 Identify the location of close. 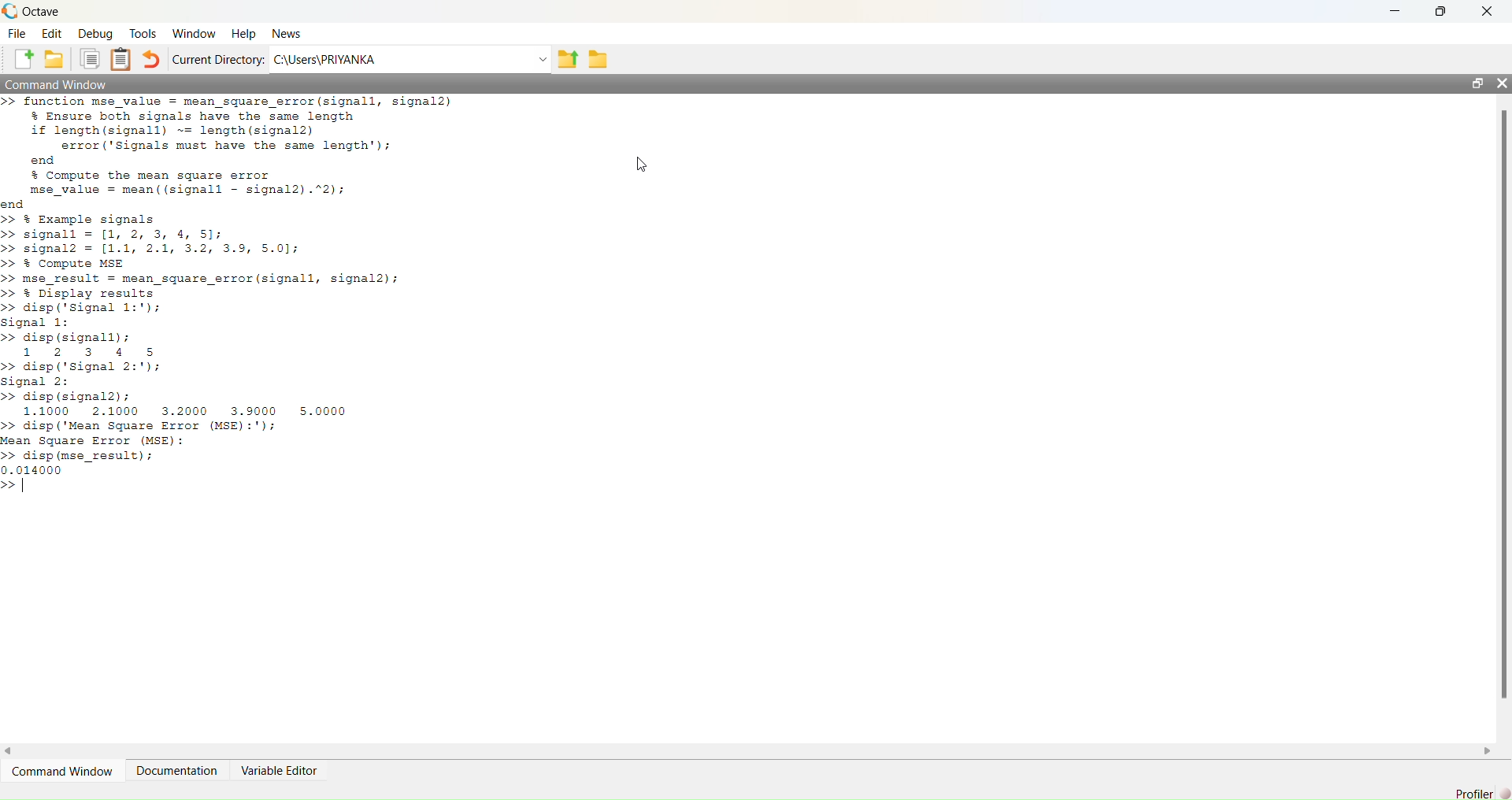
(1501, 83).